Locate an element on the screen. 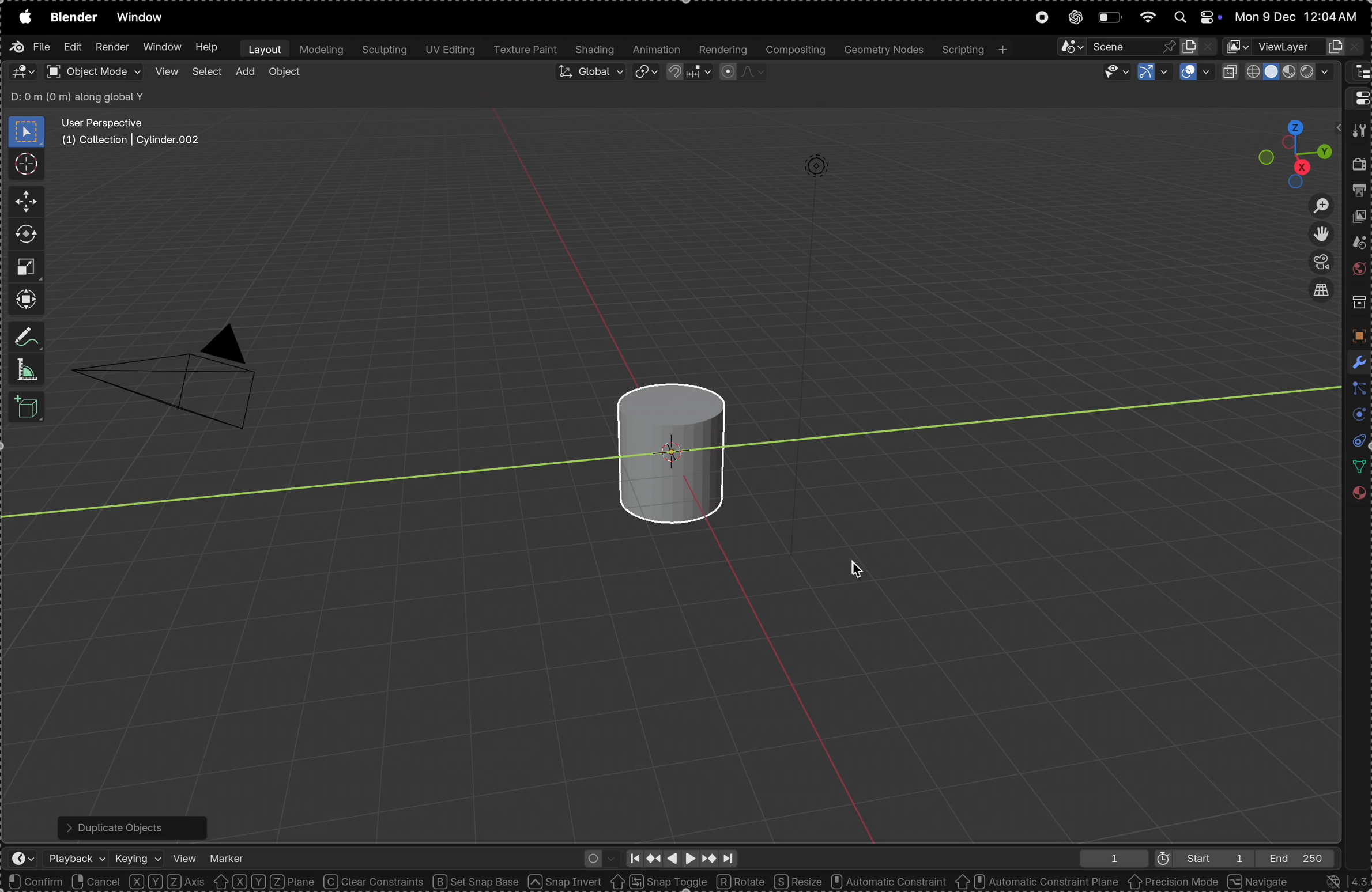  object is located at coordinates (285, 74).